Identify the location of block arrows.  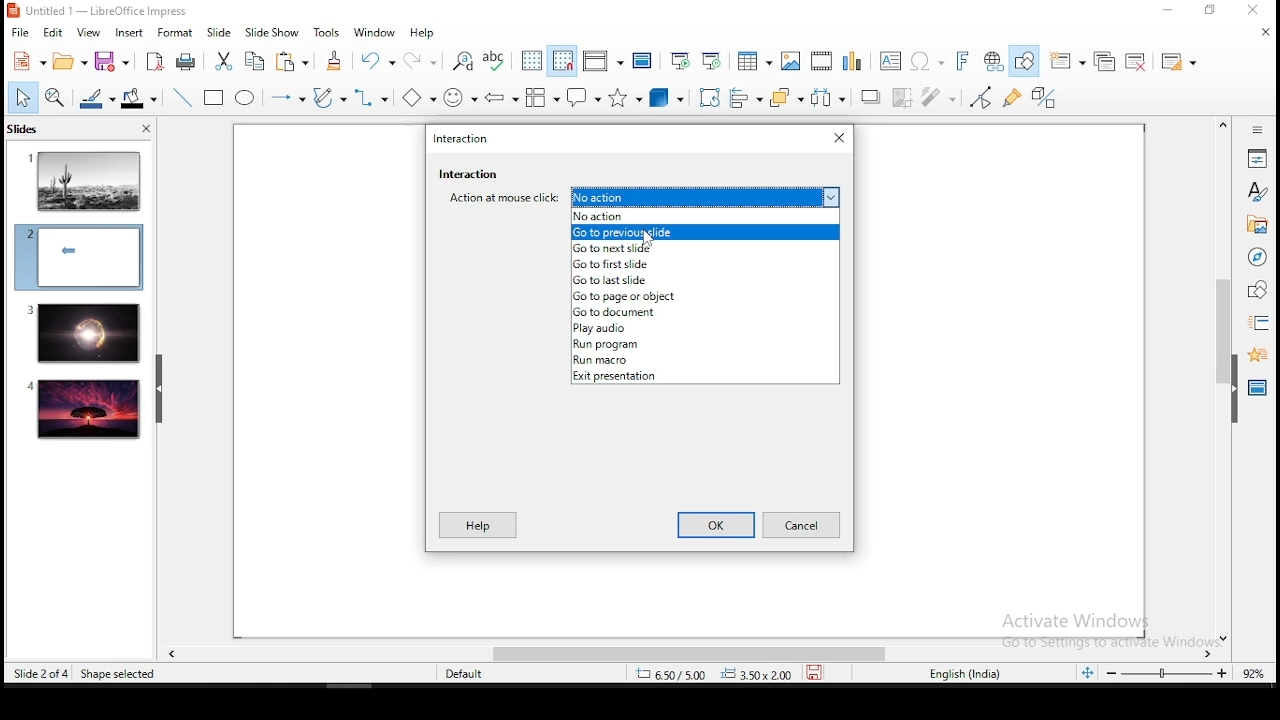
(502, 96).